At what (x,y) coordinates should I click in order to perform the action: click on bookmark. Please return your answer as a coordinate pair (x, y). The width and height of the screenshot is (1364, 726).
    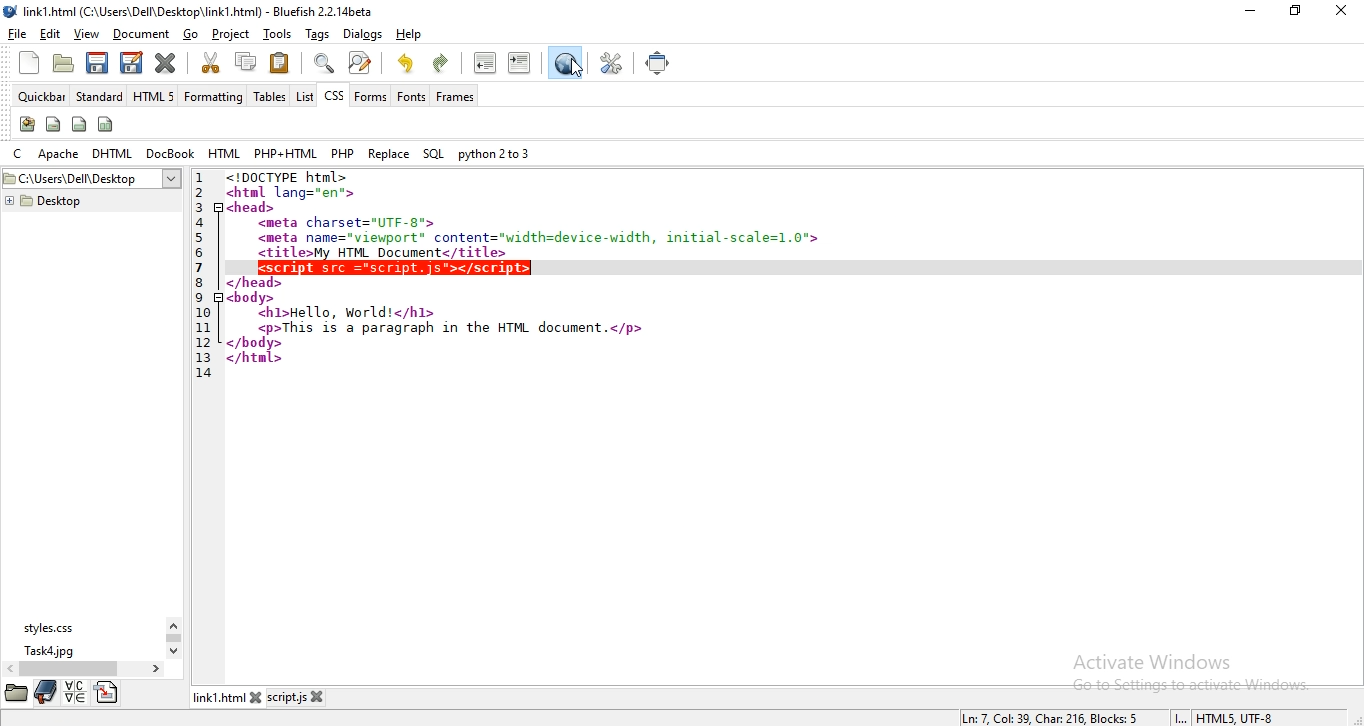
    Looking at the image, I should click on (45, 691).